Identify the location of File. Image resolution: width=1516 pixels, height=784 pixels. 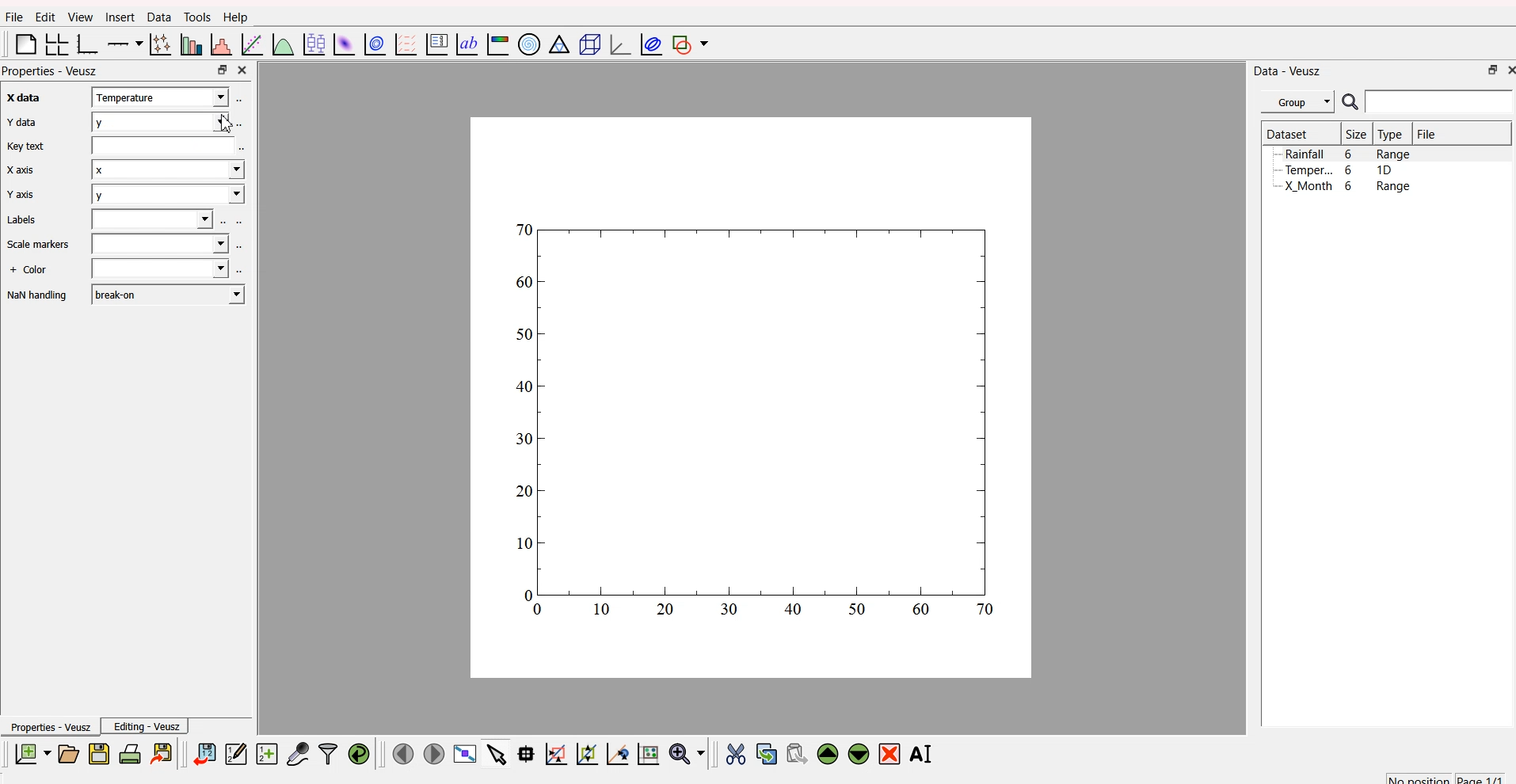
(1428, 134).